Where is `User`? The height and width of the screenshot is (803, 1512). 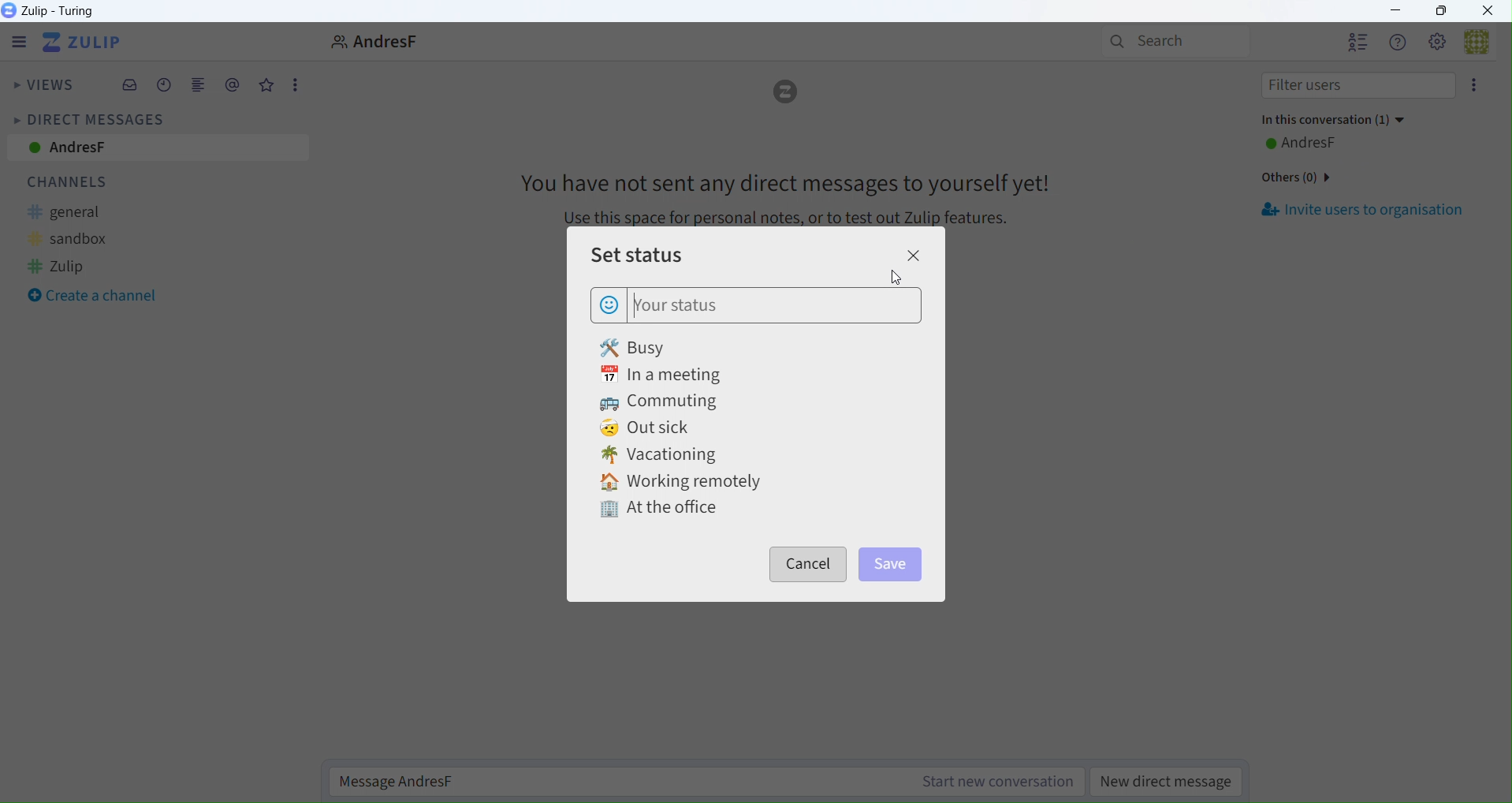
User is located at coordinates (367, 41).